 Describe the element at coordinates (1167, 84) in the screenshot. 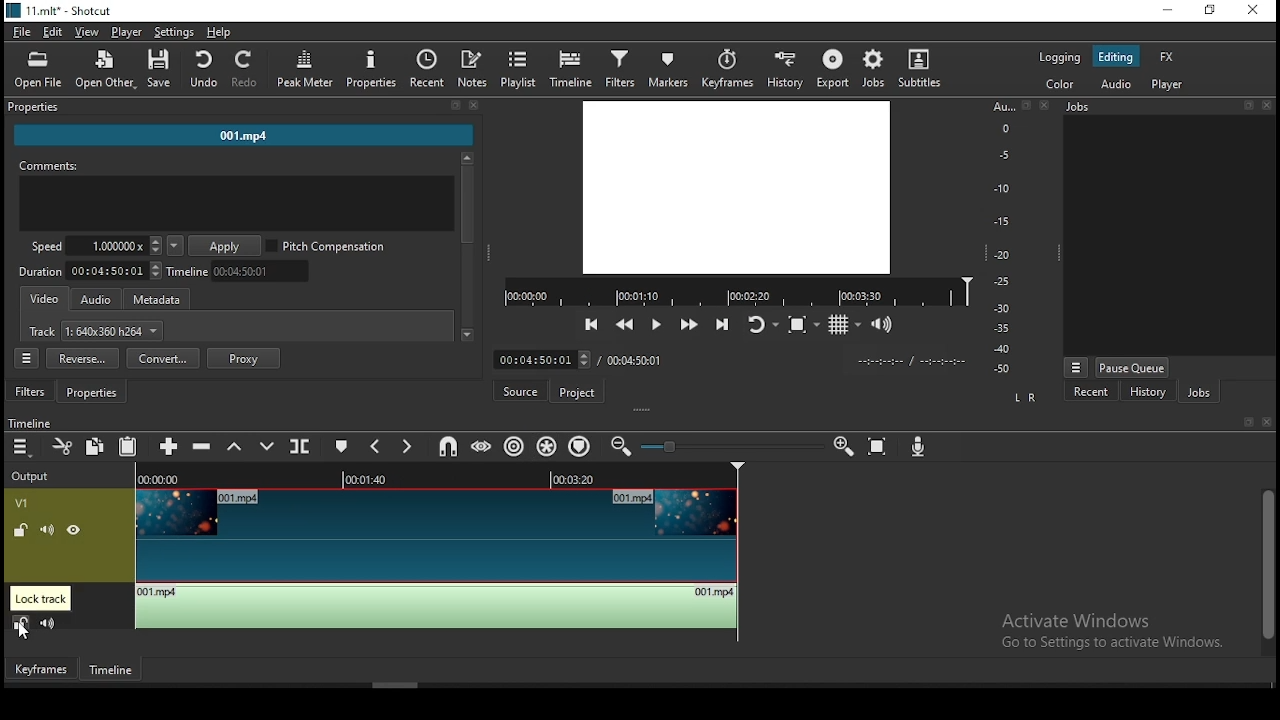

I see `player` at that location.